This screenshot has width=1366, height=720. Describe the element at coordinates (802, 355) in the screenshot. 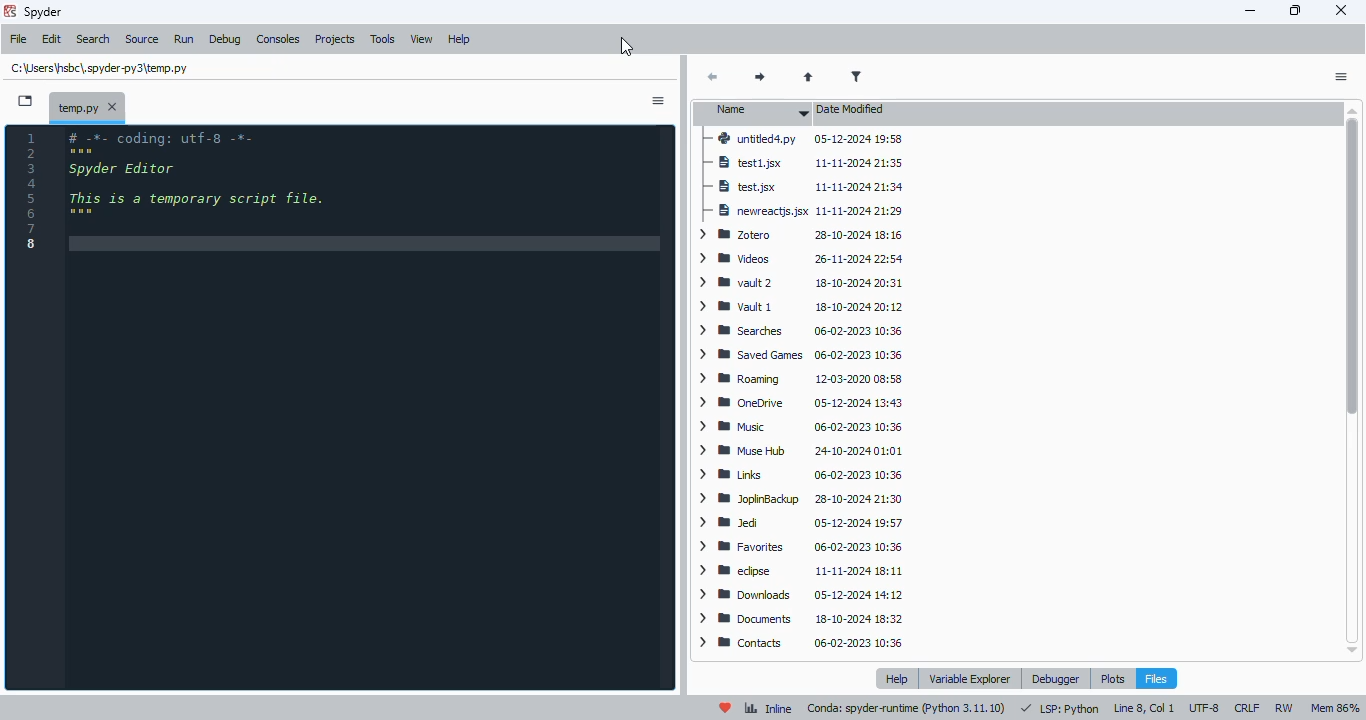

I see `Saved Games` at that location.